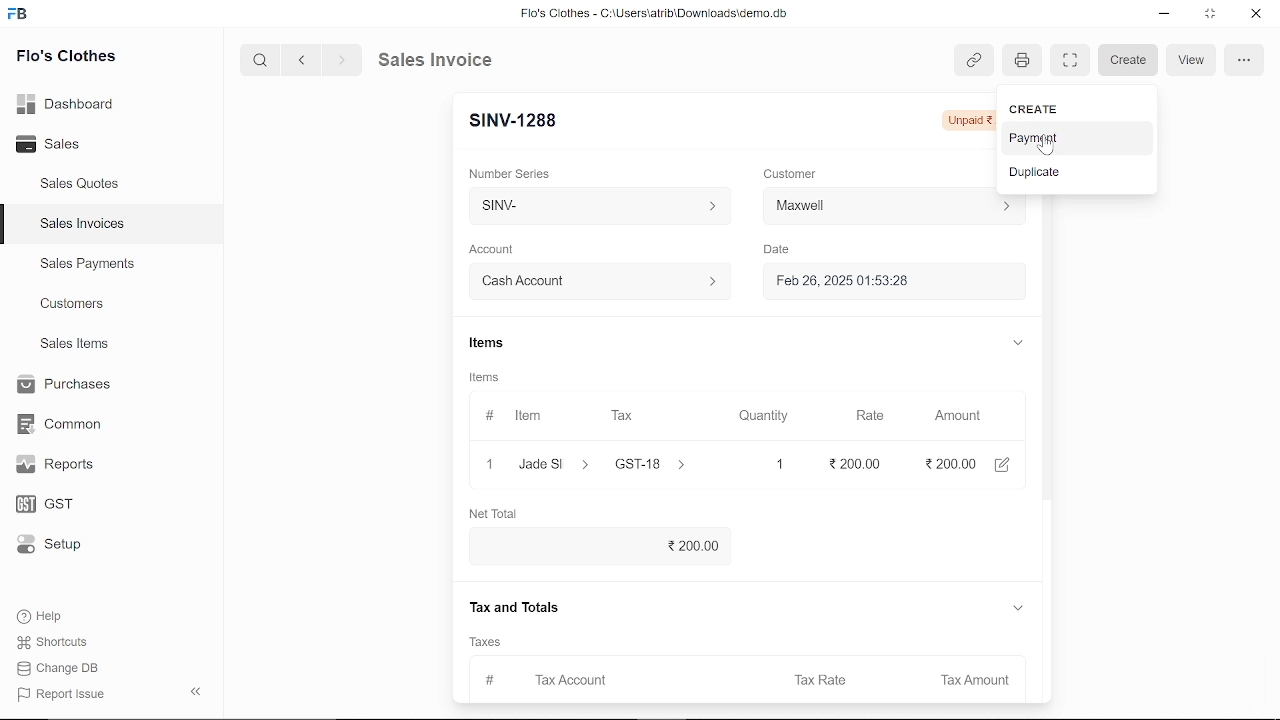 The image size is (1280, 720). What do you see at coordinates (626, 416) in the screenshot?
I see `Tax` at bounding box center [626, 416].